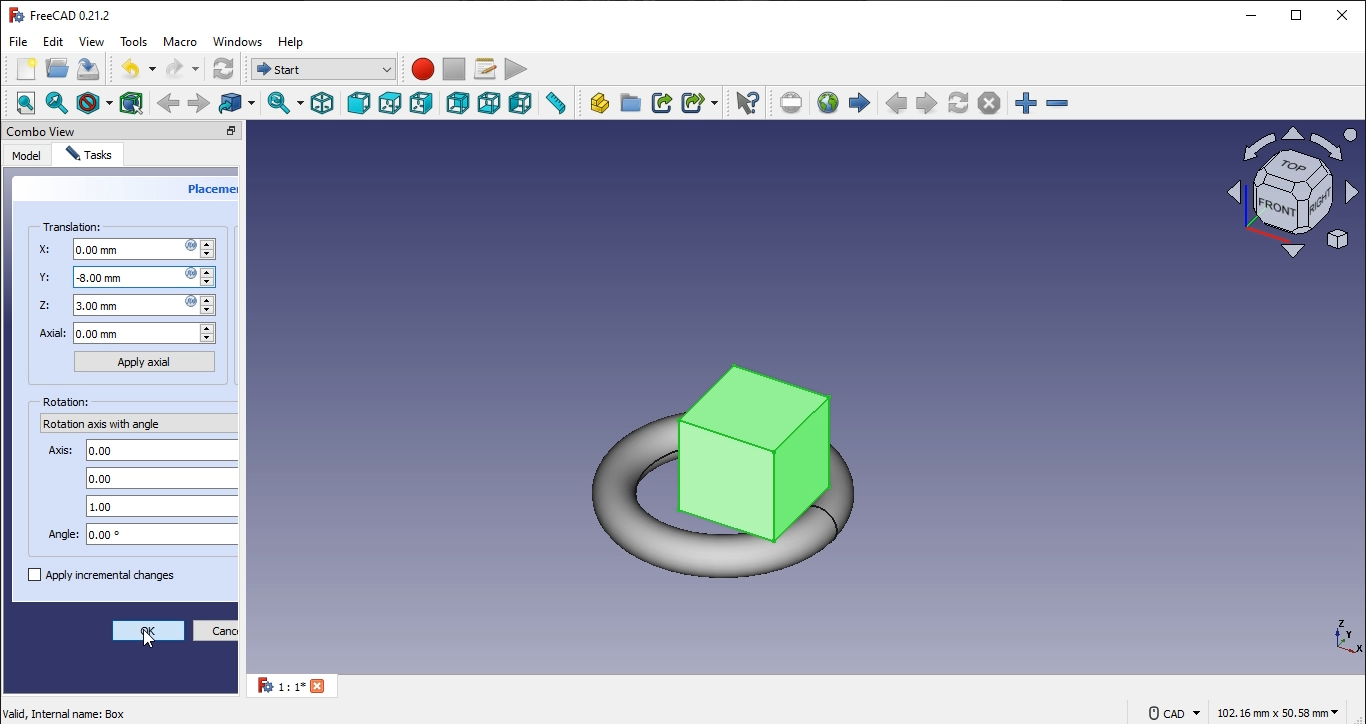 The width and height of the screenshot is (1366, 724). What do you see at coordinates (293, 42) in the screenshot?
I see `help` at bounding box center [293, 42].